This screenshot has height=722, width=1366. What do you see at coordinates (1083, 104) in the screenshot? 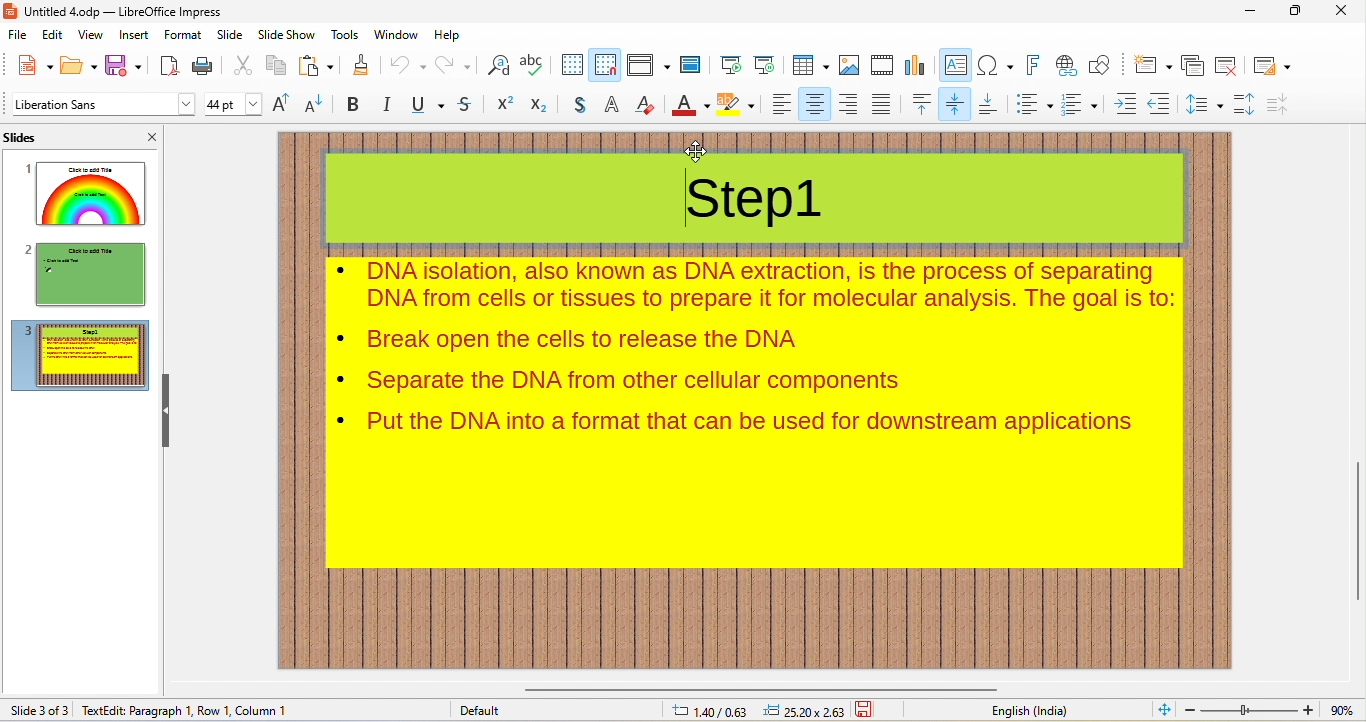
I see `numbered` at bounding box center [1083, 104].